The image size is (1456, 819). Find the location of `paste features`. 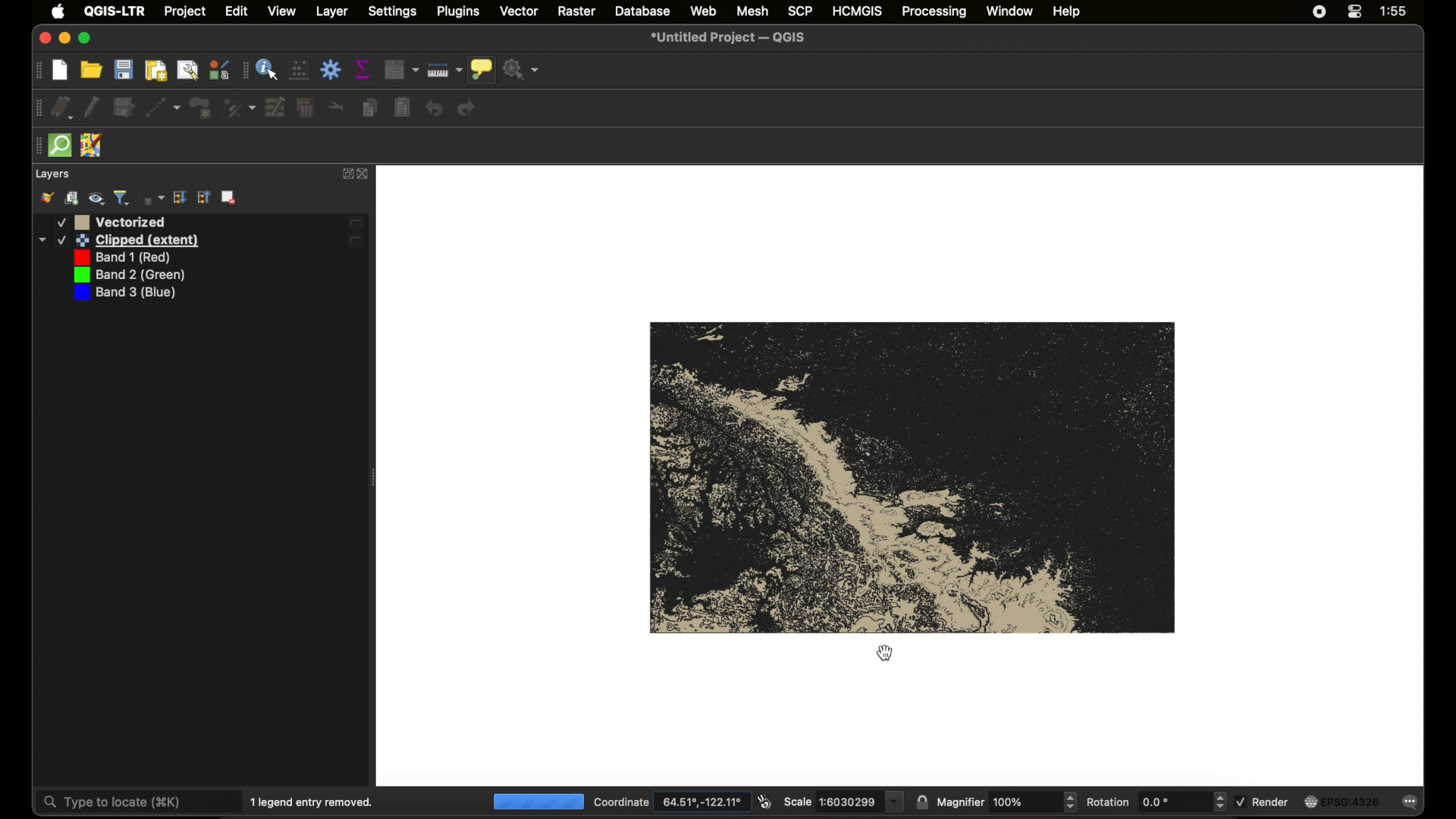

paste features is located at coordinates (402, 108).